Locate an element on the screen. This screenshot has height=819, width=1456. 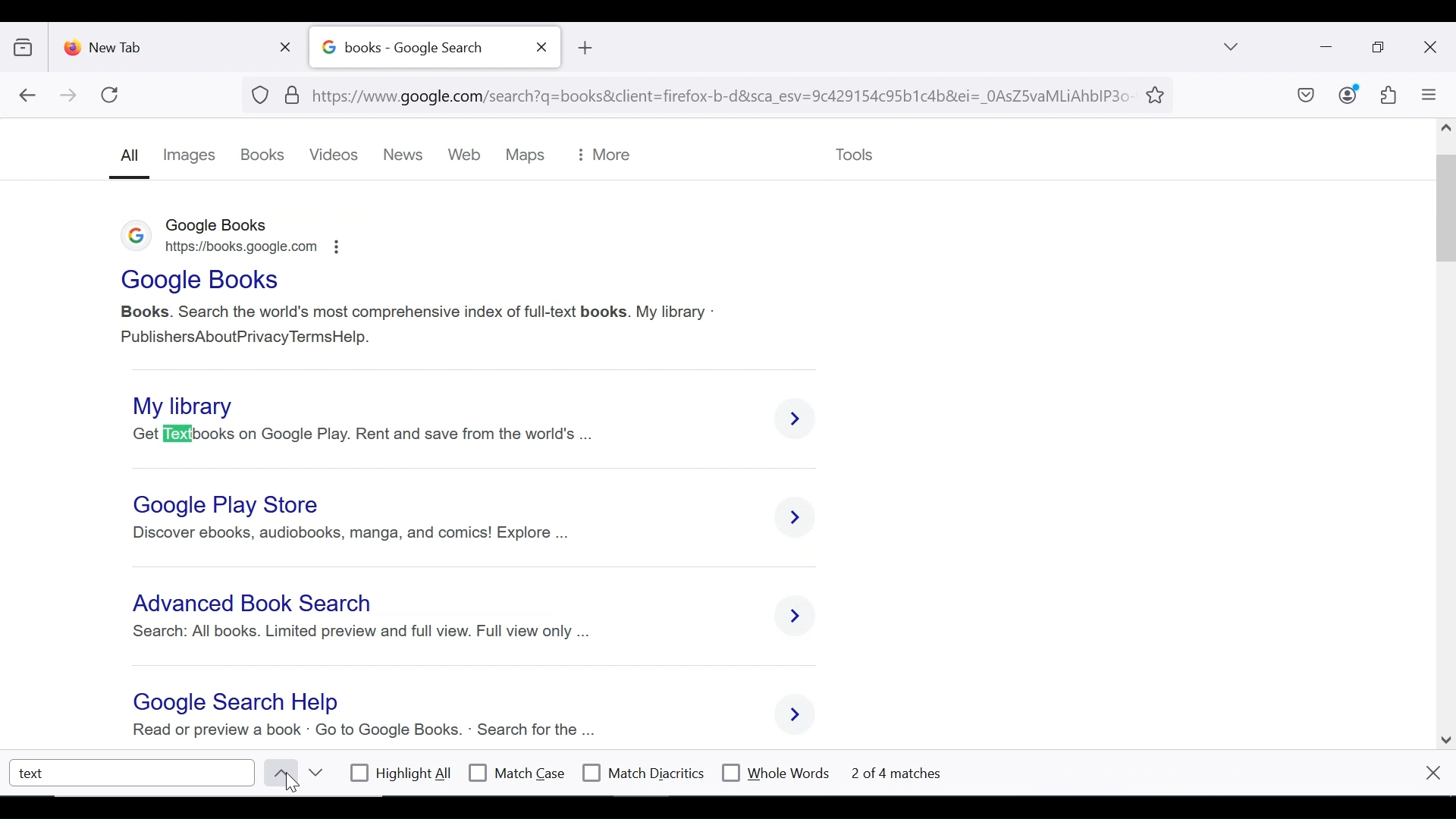
next is located at coordinates (315, 773).